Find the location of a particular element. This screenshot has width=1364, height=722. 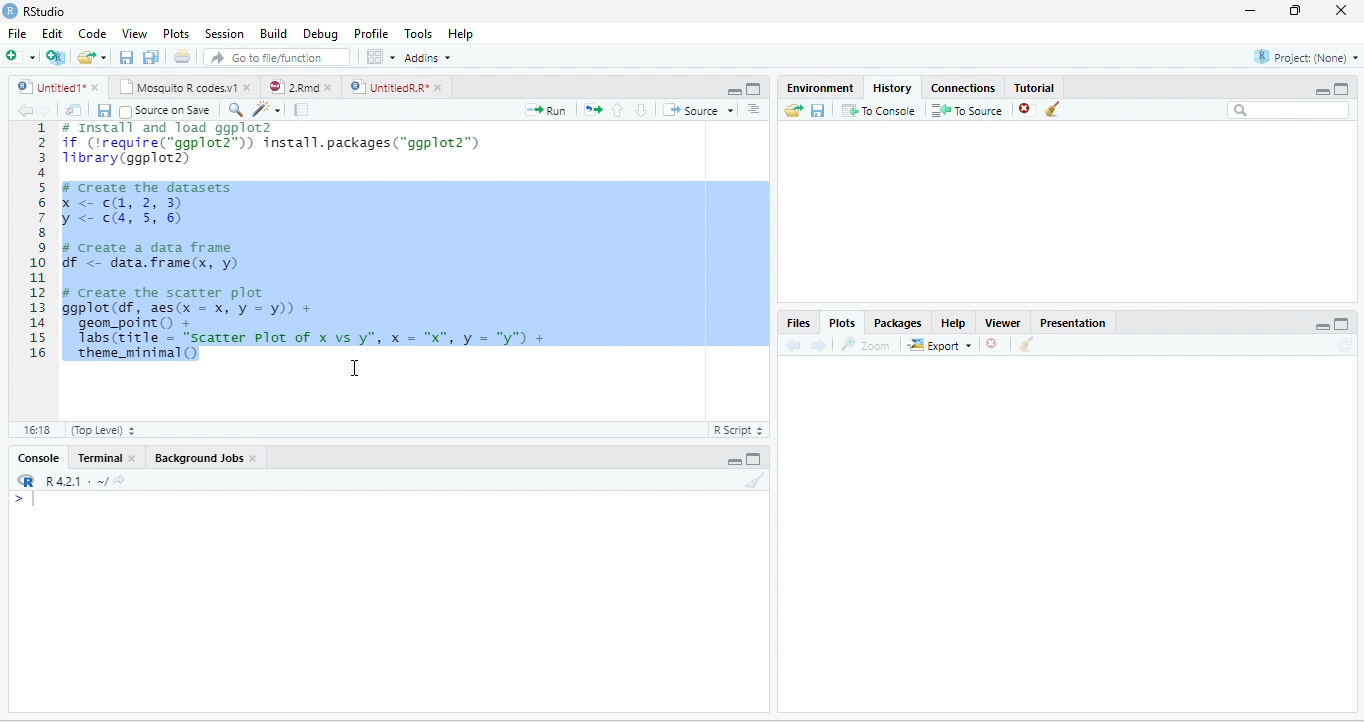

close is located at coordinates (131, 458).